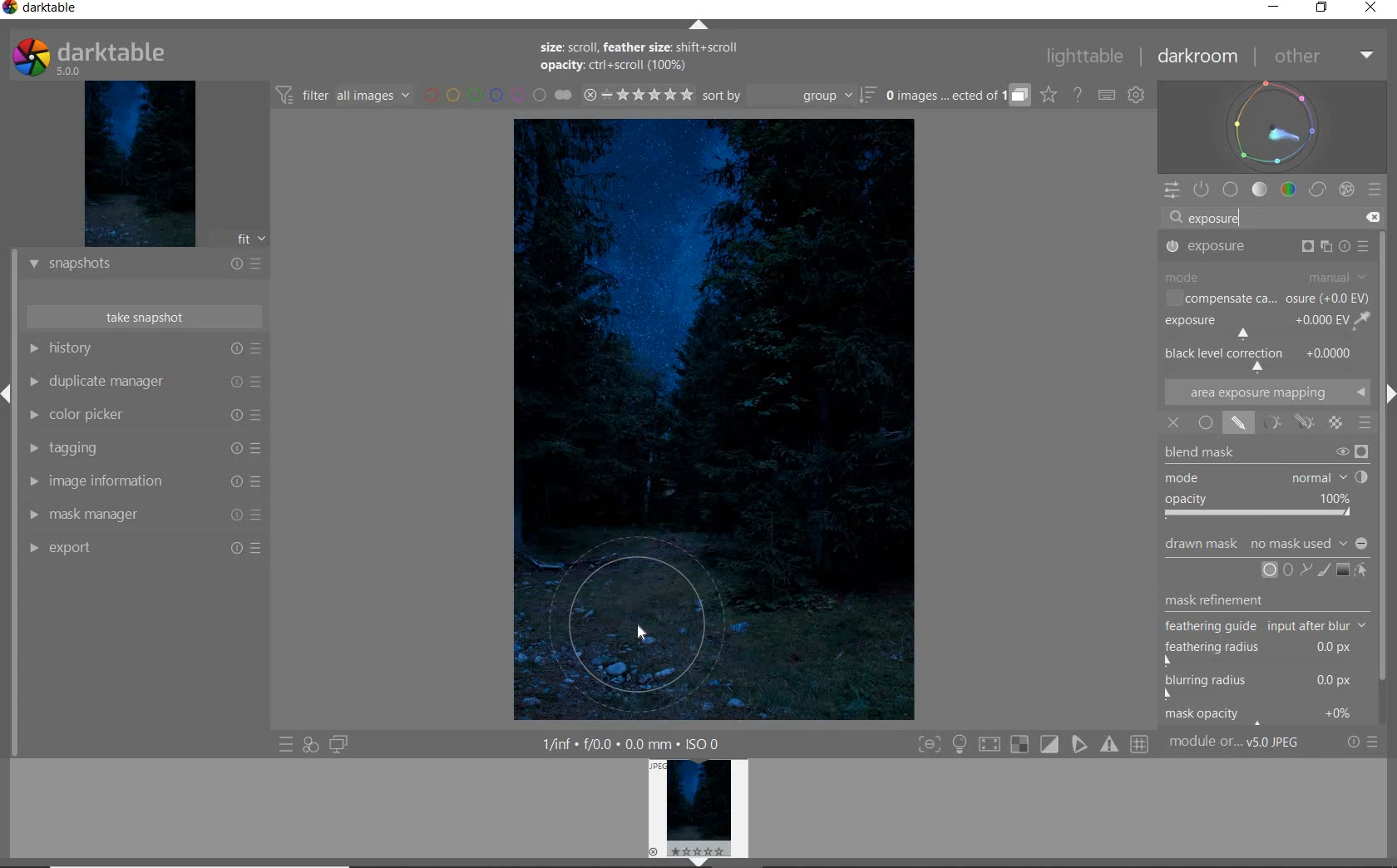 This screenshot has width=1397, height=868. Describe the element at coordinates (1322, 8) in the screenshot. I see `RESTORE` at that location.